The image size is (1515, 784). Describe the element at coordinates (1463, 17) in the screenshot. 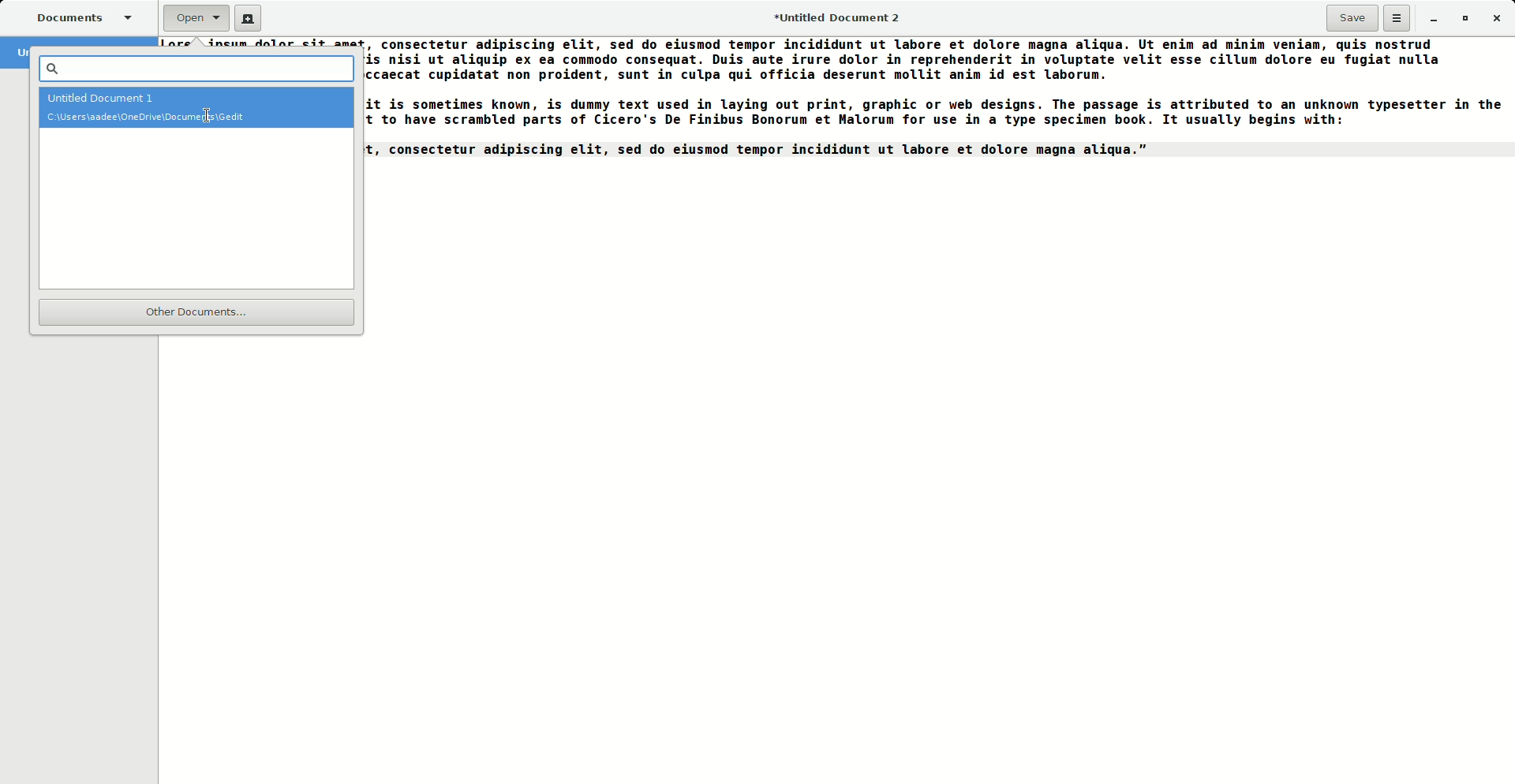

I see `Restore` at that location.